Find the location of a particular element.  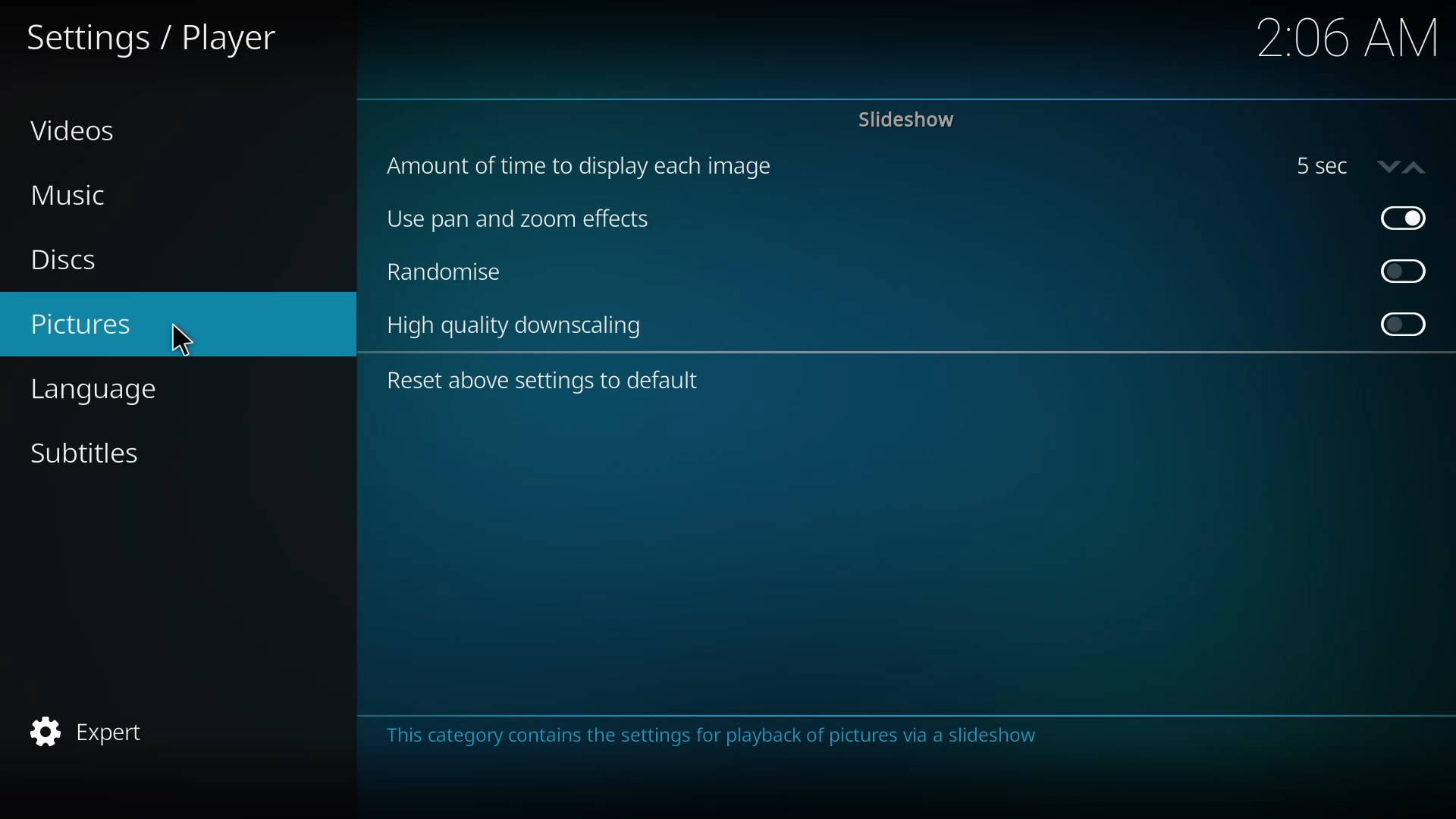

use pan and zoom effects is located at coordinates (519, 220).